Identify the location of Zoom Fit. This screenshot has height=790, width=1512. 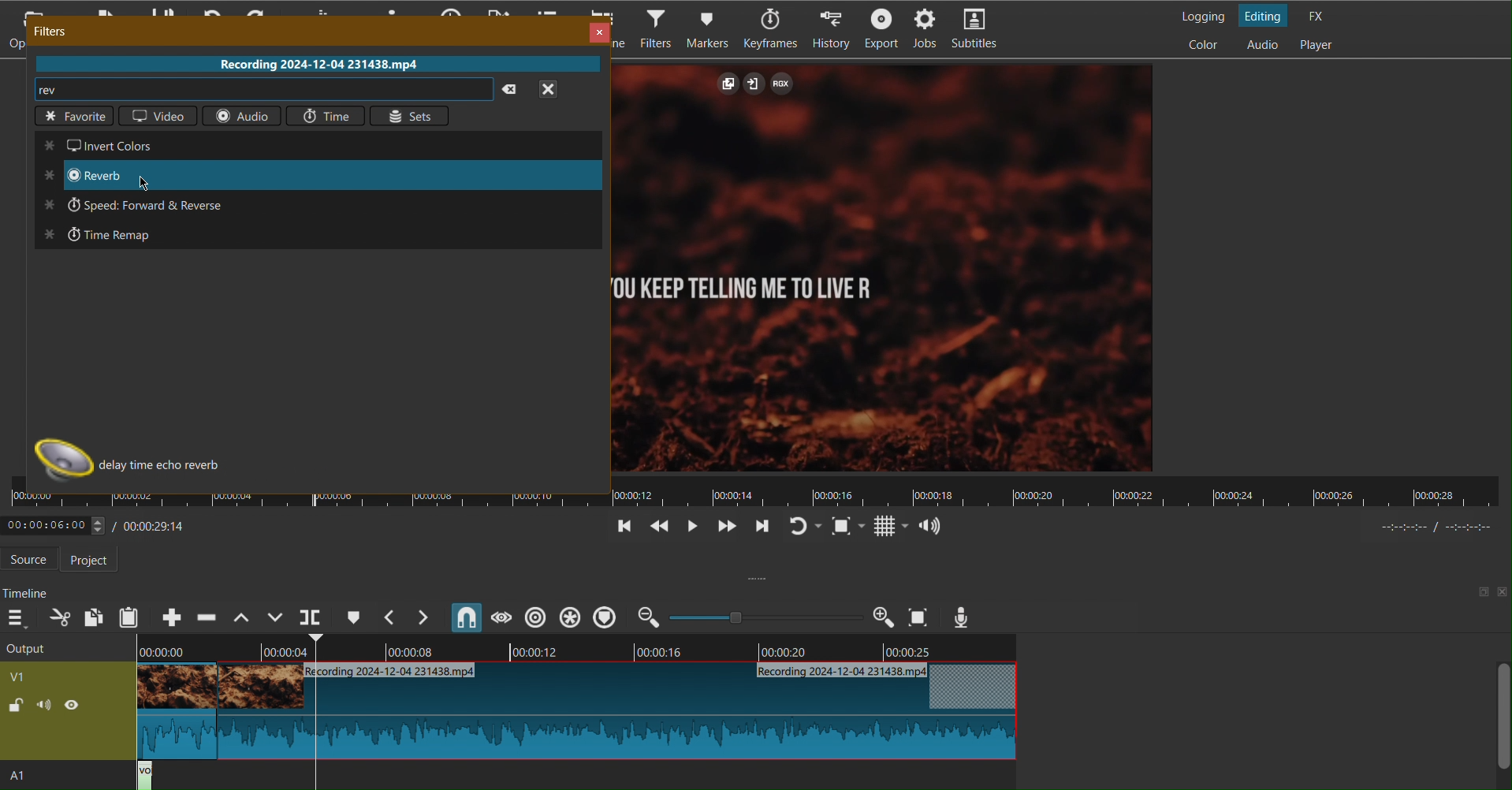
(849, 526).